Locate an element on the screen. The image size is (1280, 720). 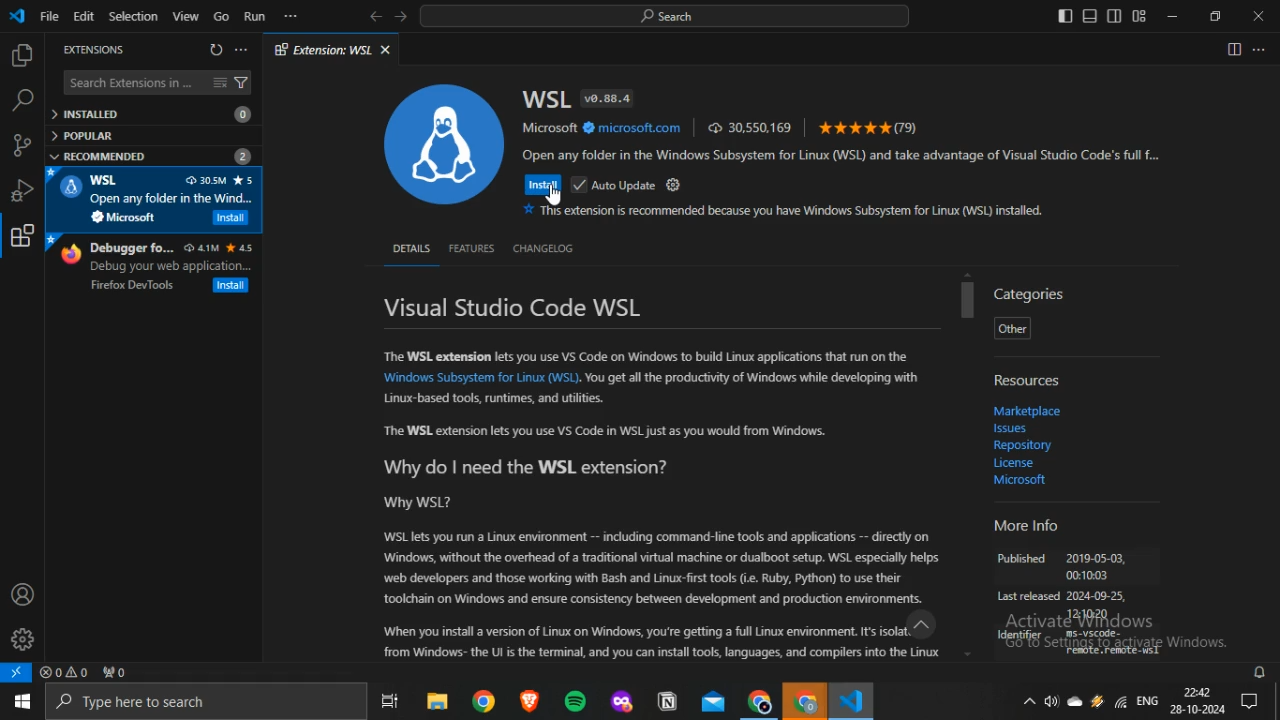
close is located at coordinates (1258, 16).